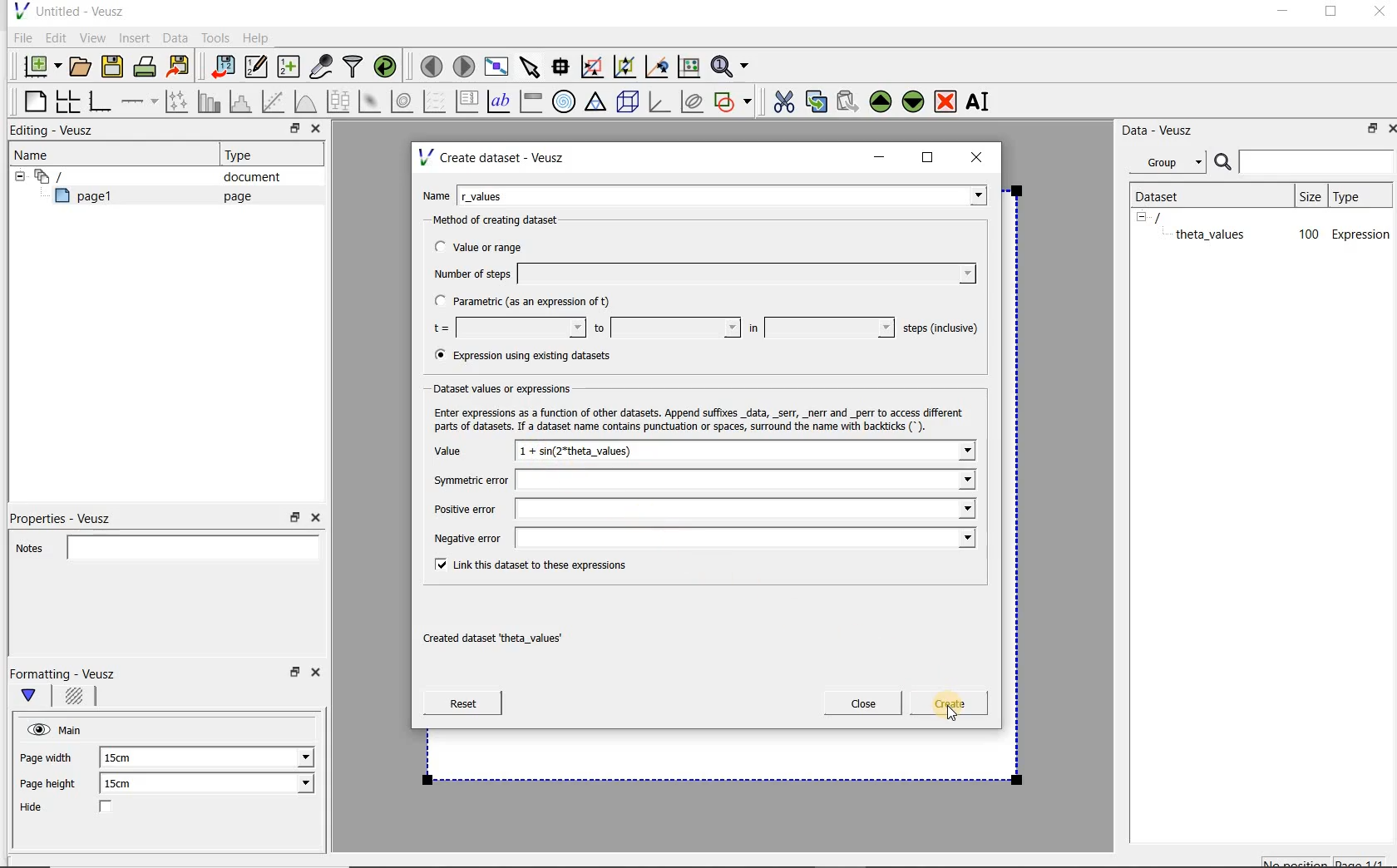  Describe the element at coordinates (981, 101) in the screenshot. I see `rename the selected widget` at that location.